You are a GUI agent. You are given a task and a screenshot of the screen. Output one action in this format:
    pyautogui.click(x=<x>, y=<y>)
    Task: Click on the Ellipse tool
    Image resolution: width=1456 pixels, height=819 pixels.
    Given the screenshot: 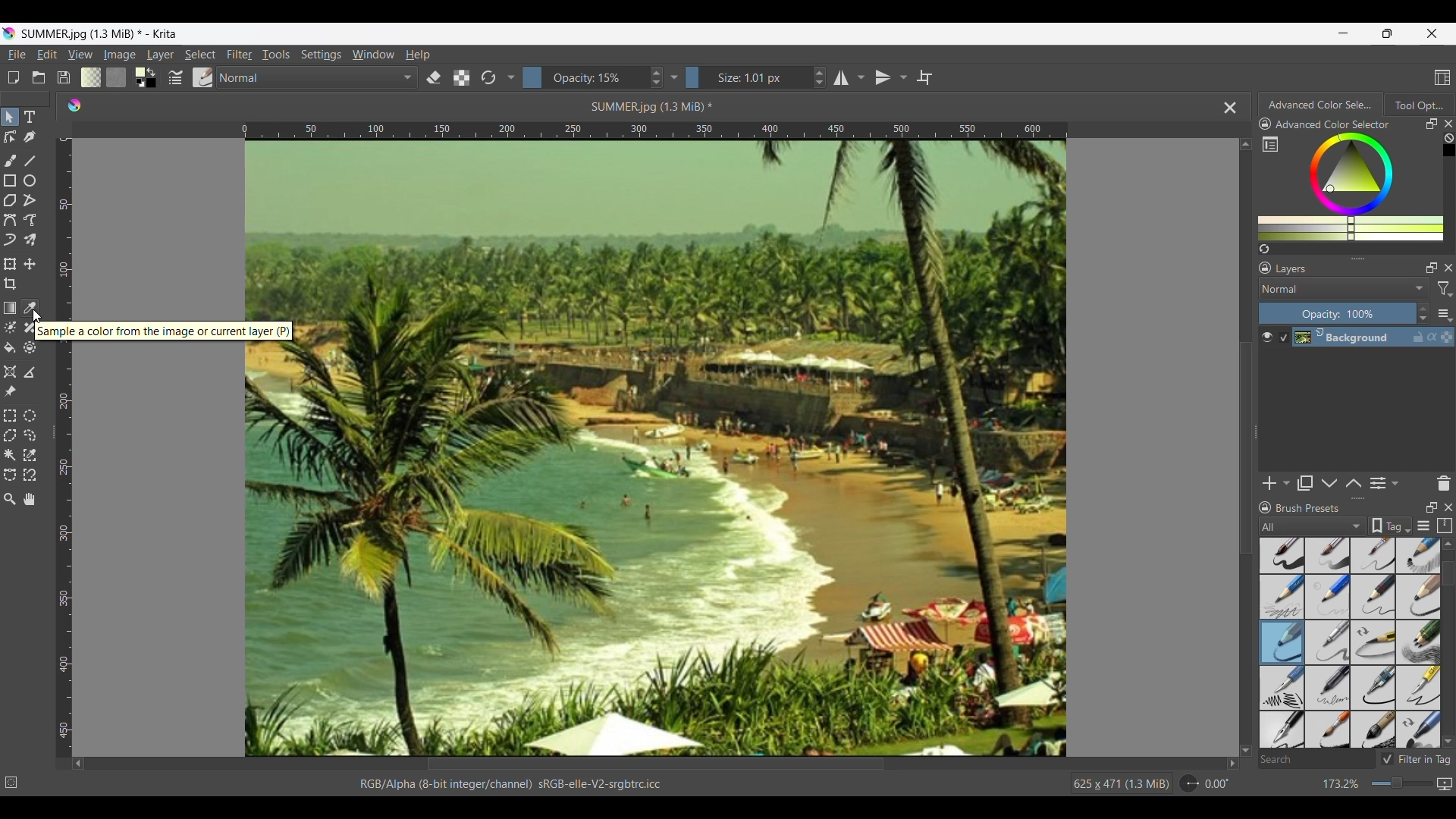 What is the action you would take?
    pyautogui.click(x=29, y=180)
    